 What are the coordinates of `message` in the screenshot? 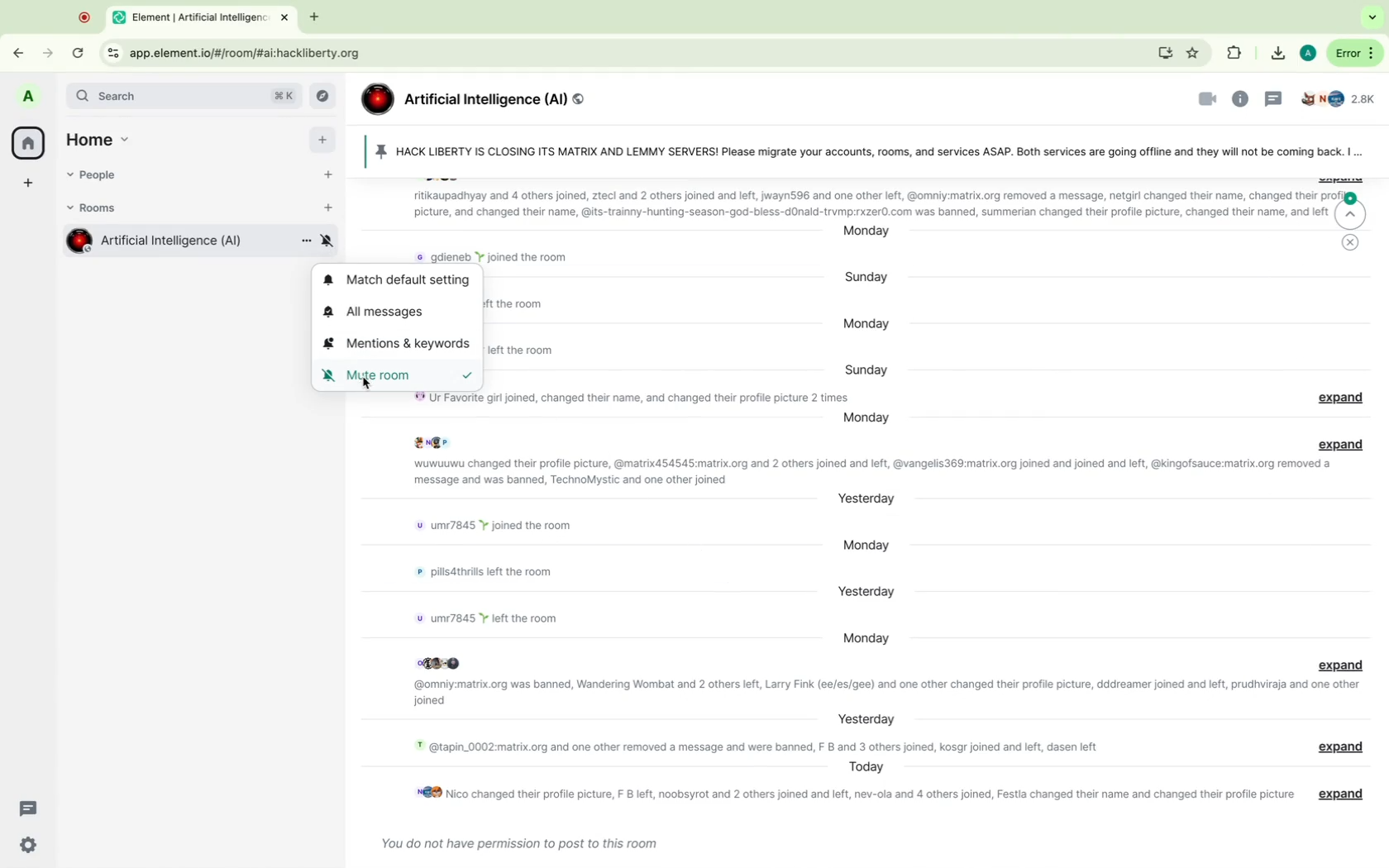 It's located at (626, 398).